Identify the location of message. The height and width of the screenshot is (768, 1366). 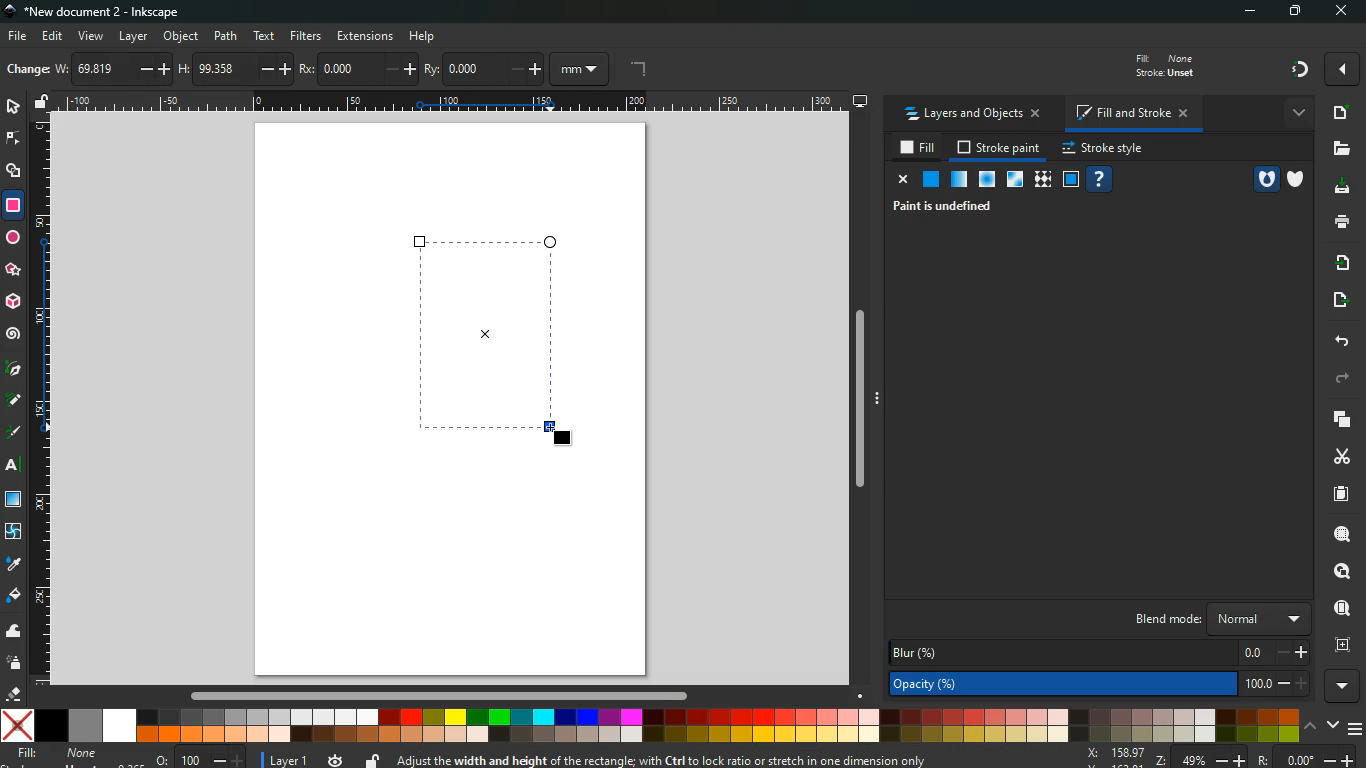
(737, 757).